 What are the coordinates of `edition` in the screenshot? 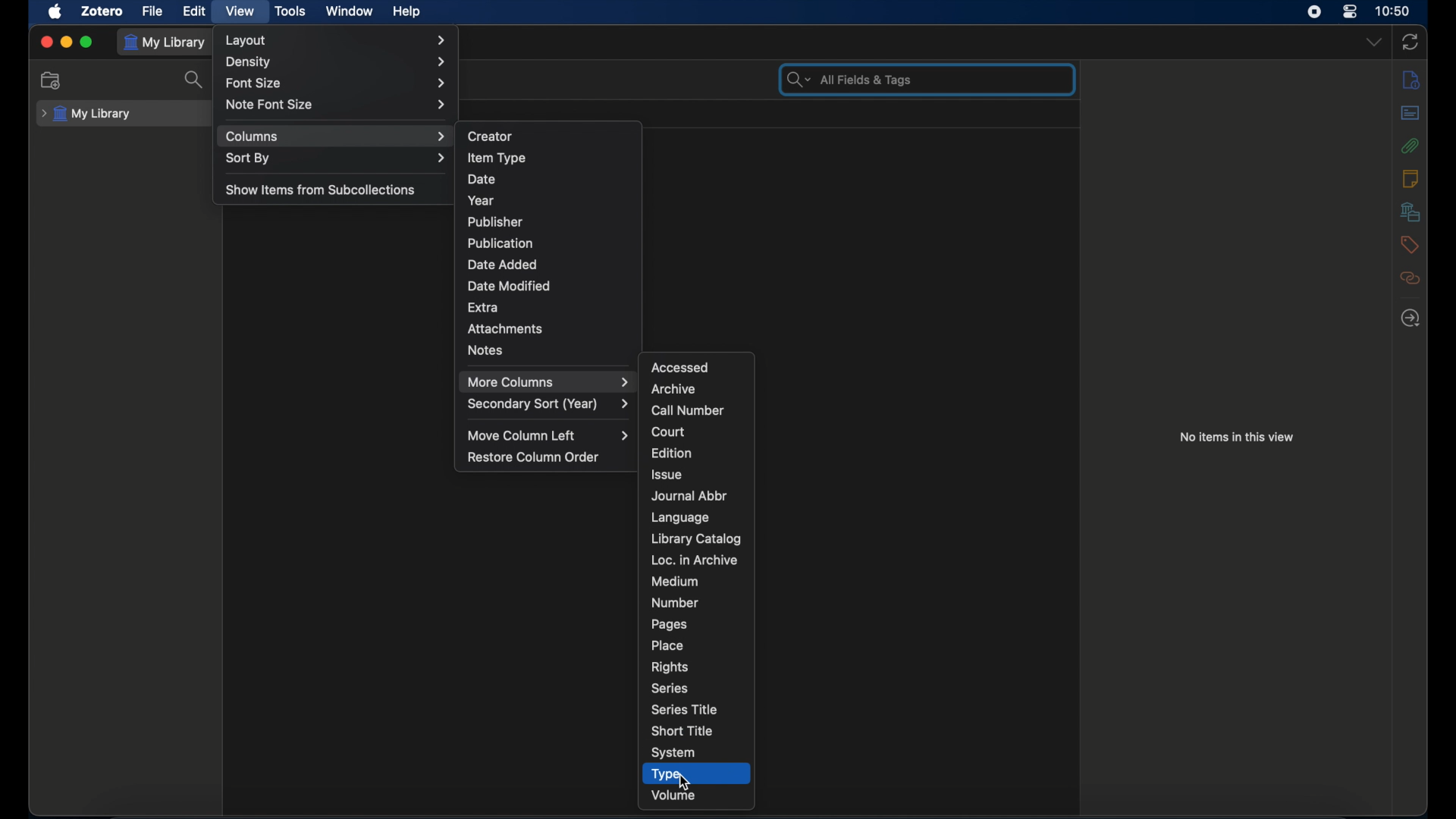 It's located at (672, 453).